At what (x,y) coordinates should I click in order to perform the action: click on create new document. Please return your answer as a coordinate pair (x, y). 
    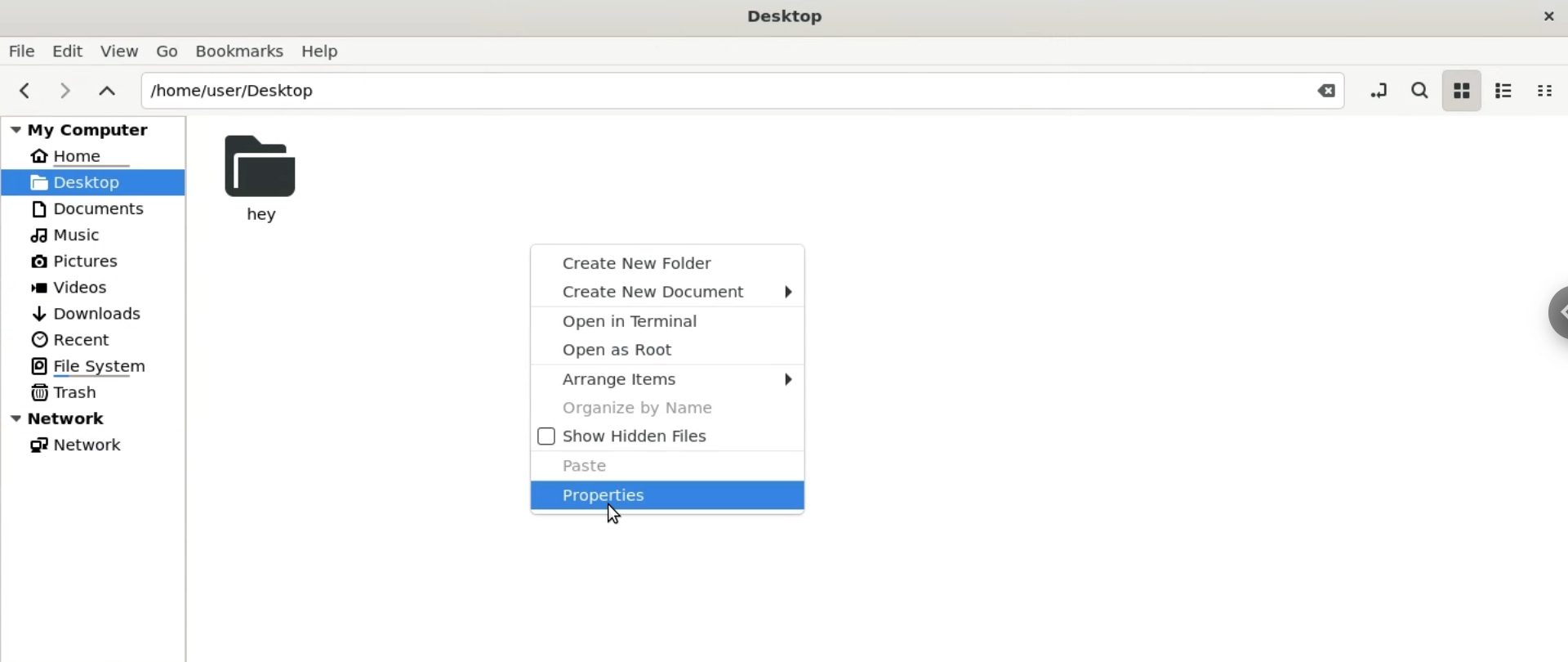
    Looking at the image, I should click on (669, 290).